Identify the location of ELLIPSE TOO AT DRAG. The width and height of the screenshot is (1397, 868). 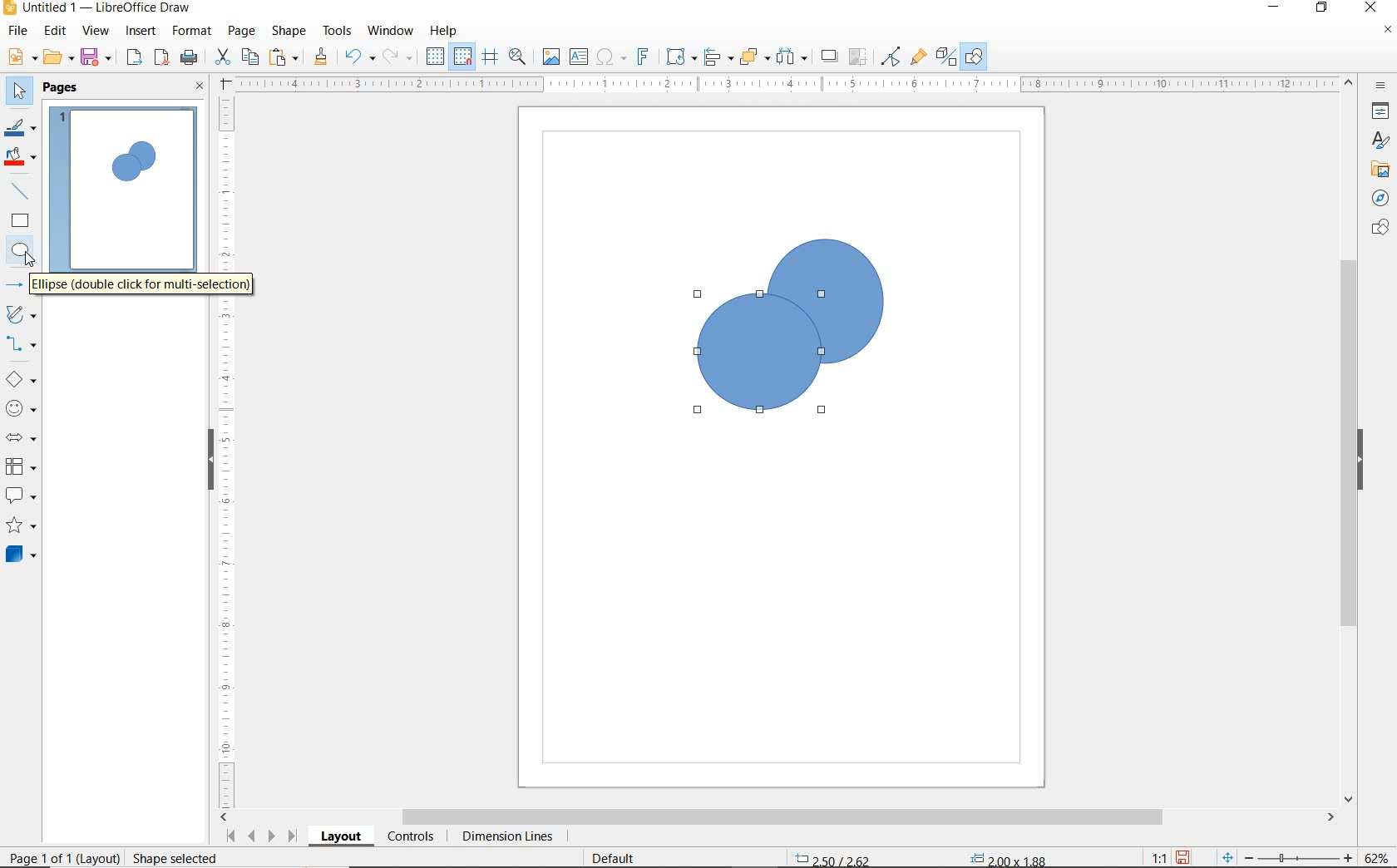
(881, 242).